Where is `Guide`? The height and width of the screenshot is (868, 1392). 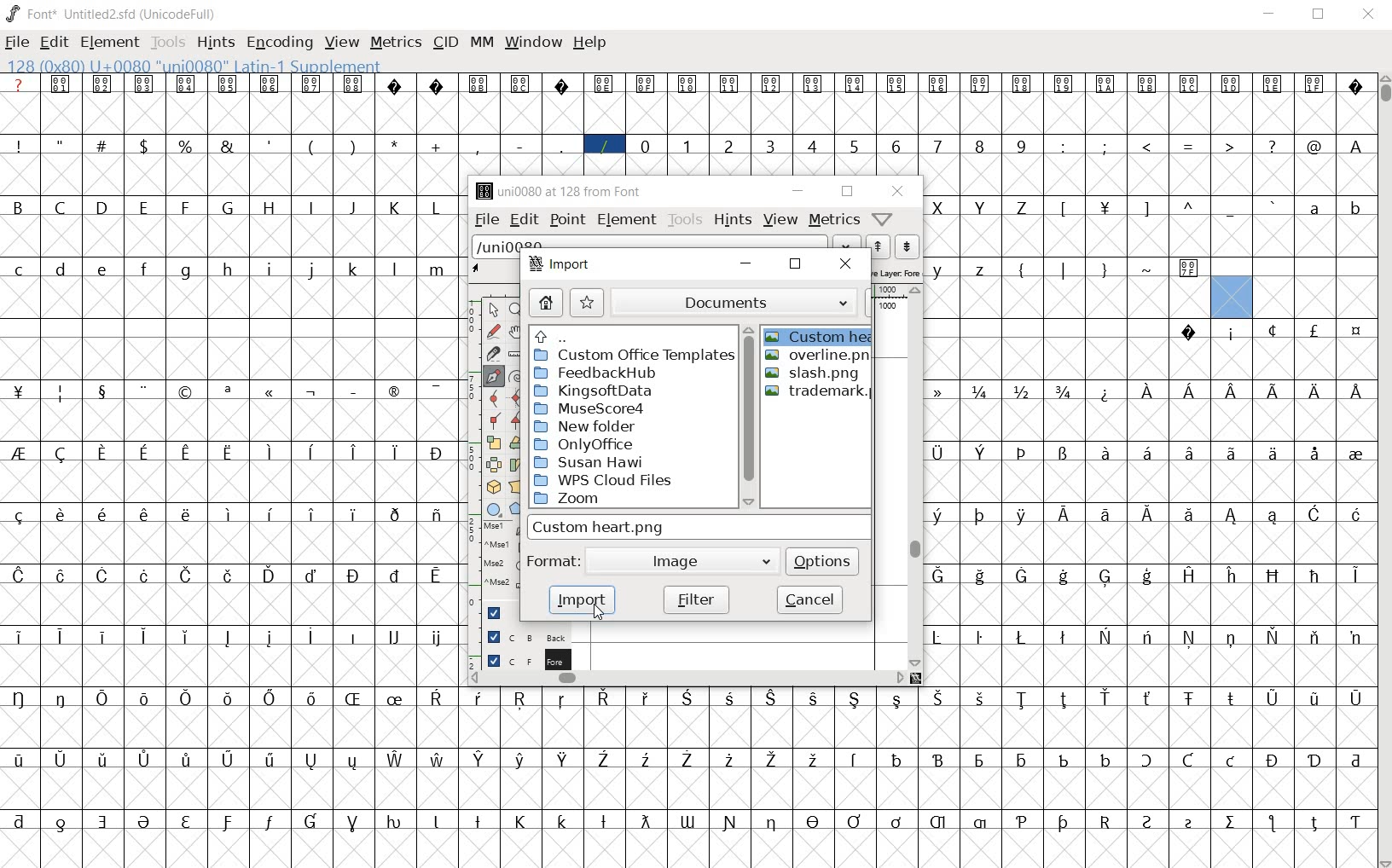 Guide is located at coordinates (491, 612).